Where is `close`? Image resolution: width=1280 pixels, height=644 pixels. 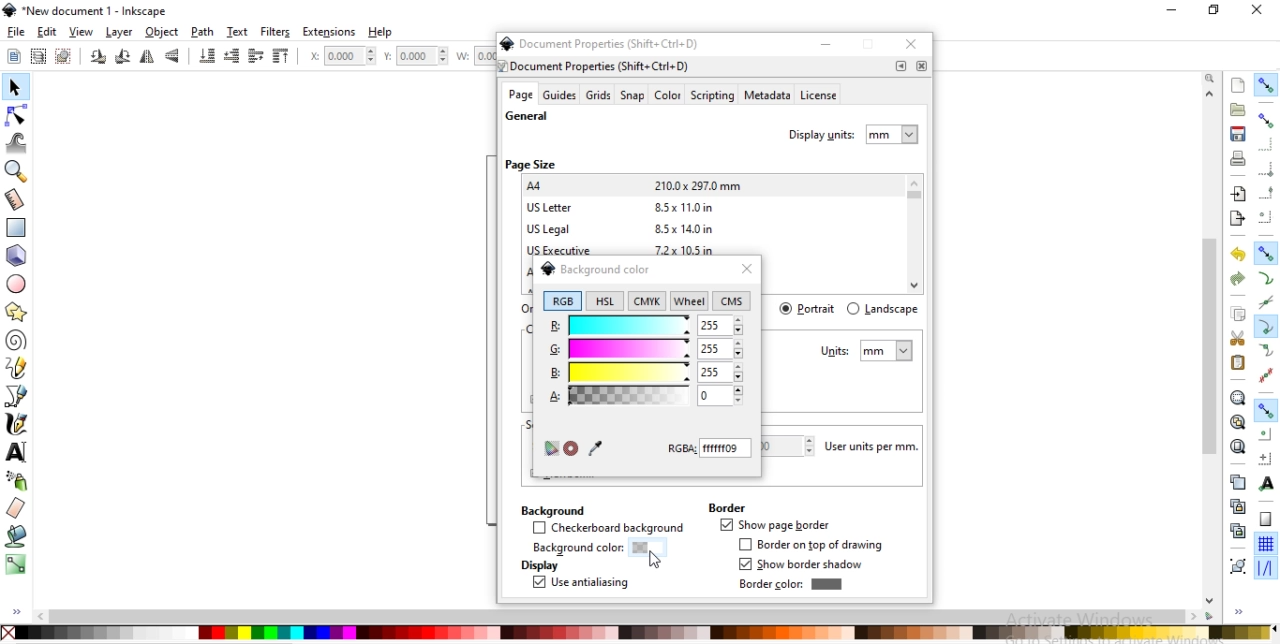 close is located at coordinates (746, 270).